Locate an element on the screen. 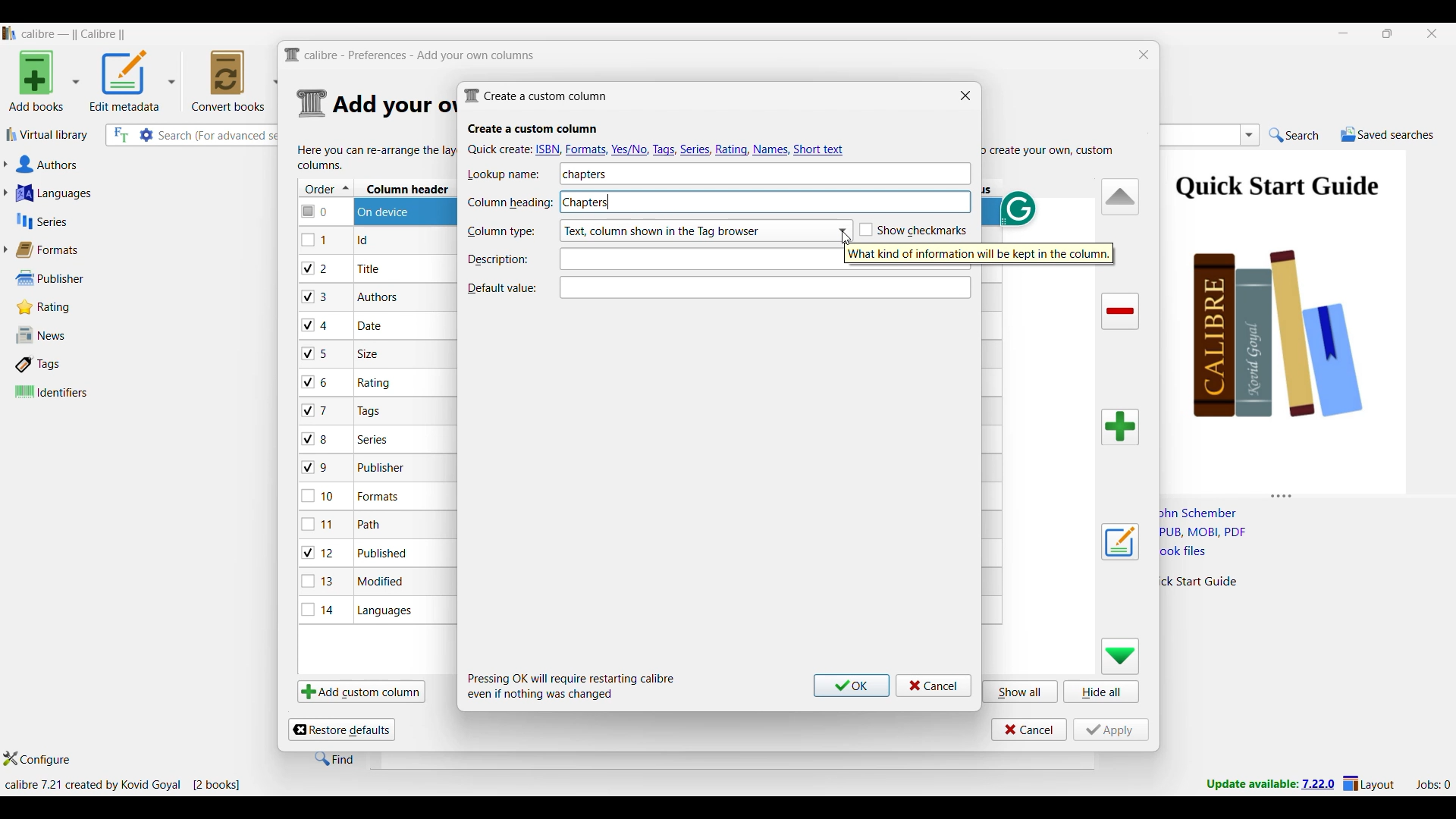  checkbox - 0 is located at coordinates (316, 210).